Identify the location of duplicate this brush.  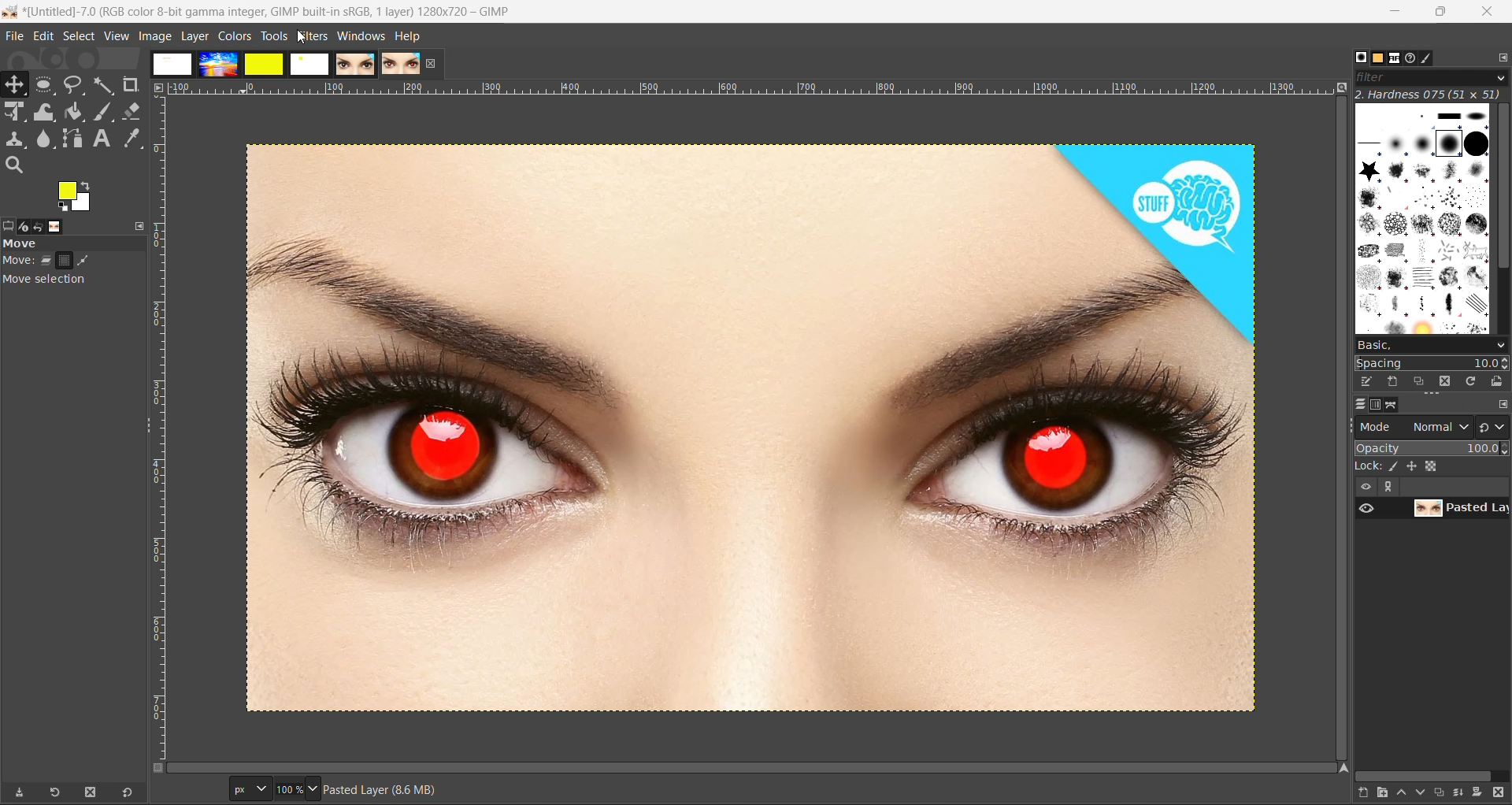
(1417, 381).